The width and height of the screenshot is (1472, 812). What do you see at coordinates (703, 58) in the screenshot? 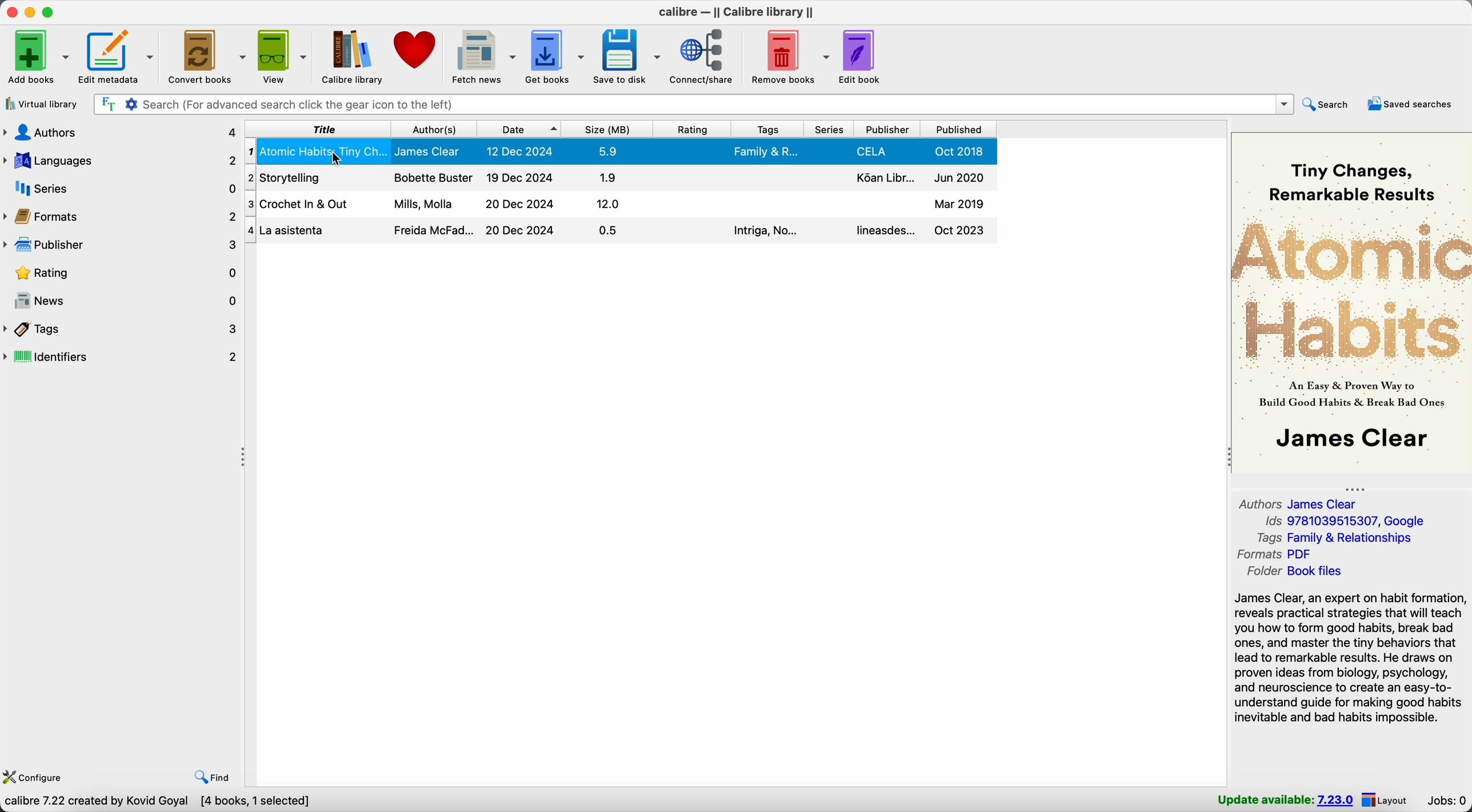
I see `connect/share` at bounding box center [703, 58].